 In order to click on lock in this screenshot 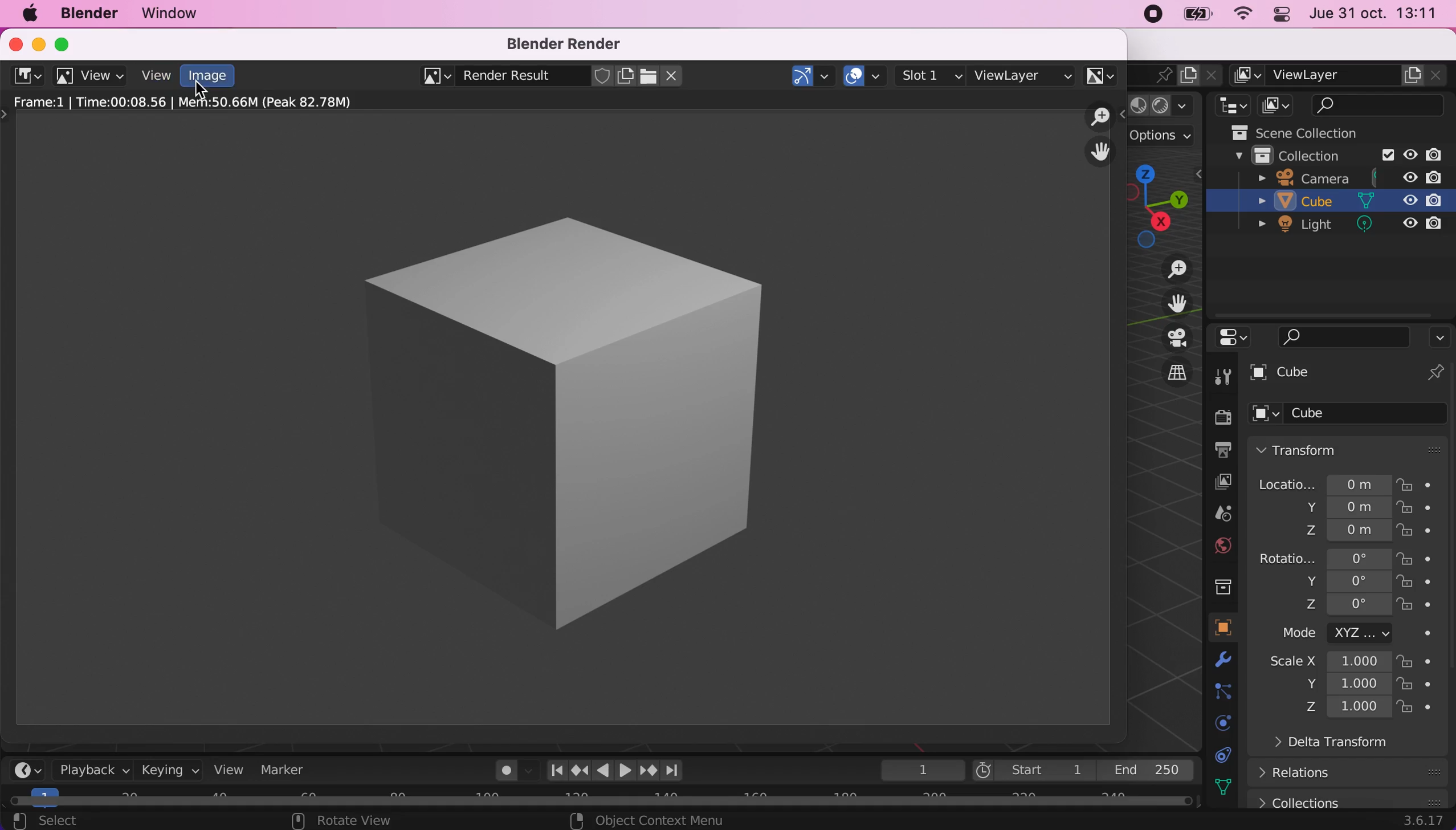, I will do `click(1417, 511)`.